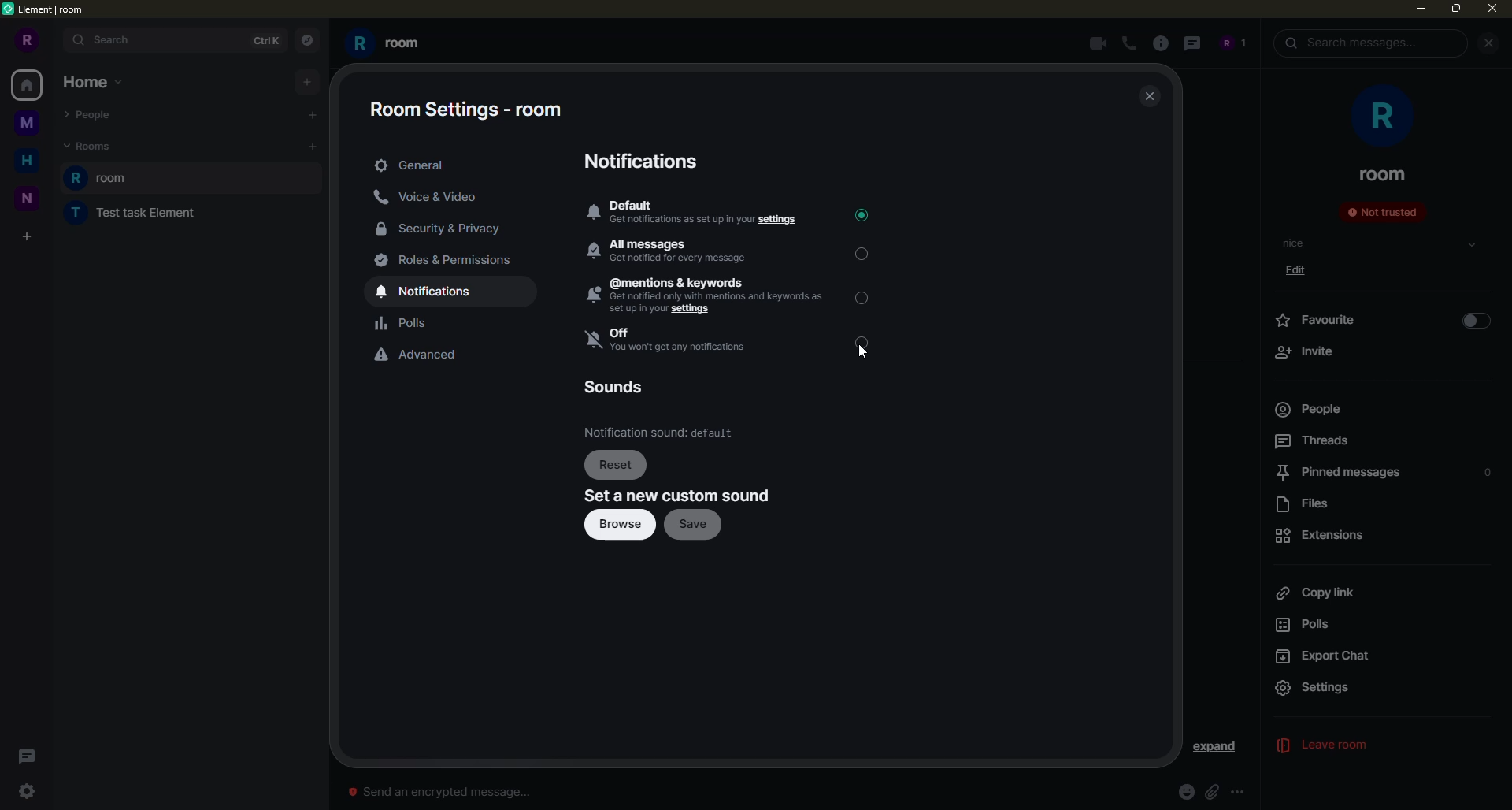 The width and height of the screenshot is (1512, 810). Describe the element at coordinates (1351, 43) in the screenshot. I see `search` at that location.